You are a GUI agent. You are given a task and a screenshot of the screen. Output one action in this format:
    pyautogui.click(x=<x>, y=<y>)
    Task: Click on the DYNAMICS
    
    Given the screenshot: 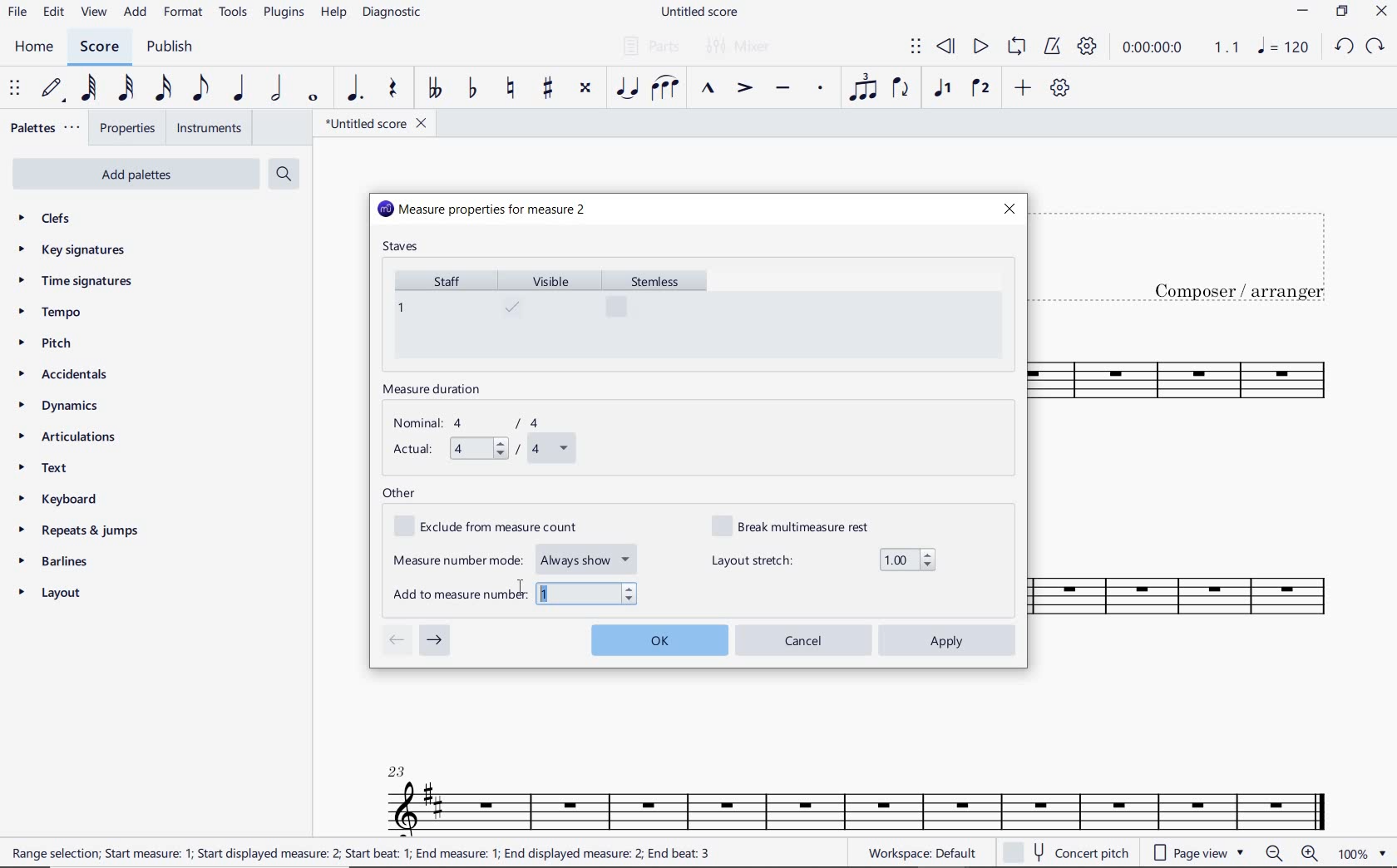 What is the action you would take?
    pyautogui.click(x=67, y=407)
    